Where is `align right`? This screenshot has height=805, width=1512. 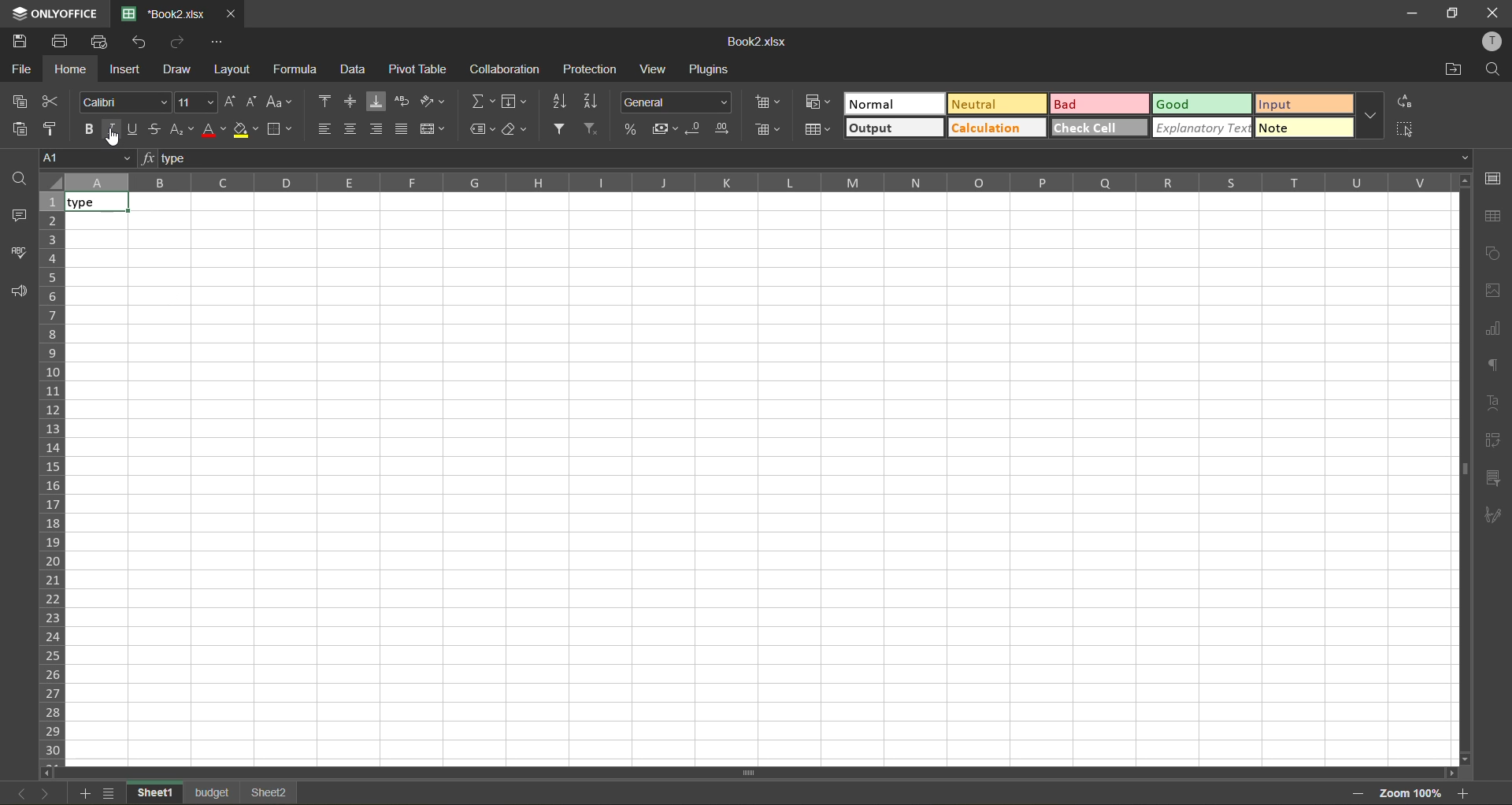
align right is located at coordinates (376, 128).